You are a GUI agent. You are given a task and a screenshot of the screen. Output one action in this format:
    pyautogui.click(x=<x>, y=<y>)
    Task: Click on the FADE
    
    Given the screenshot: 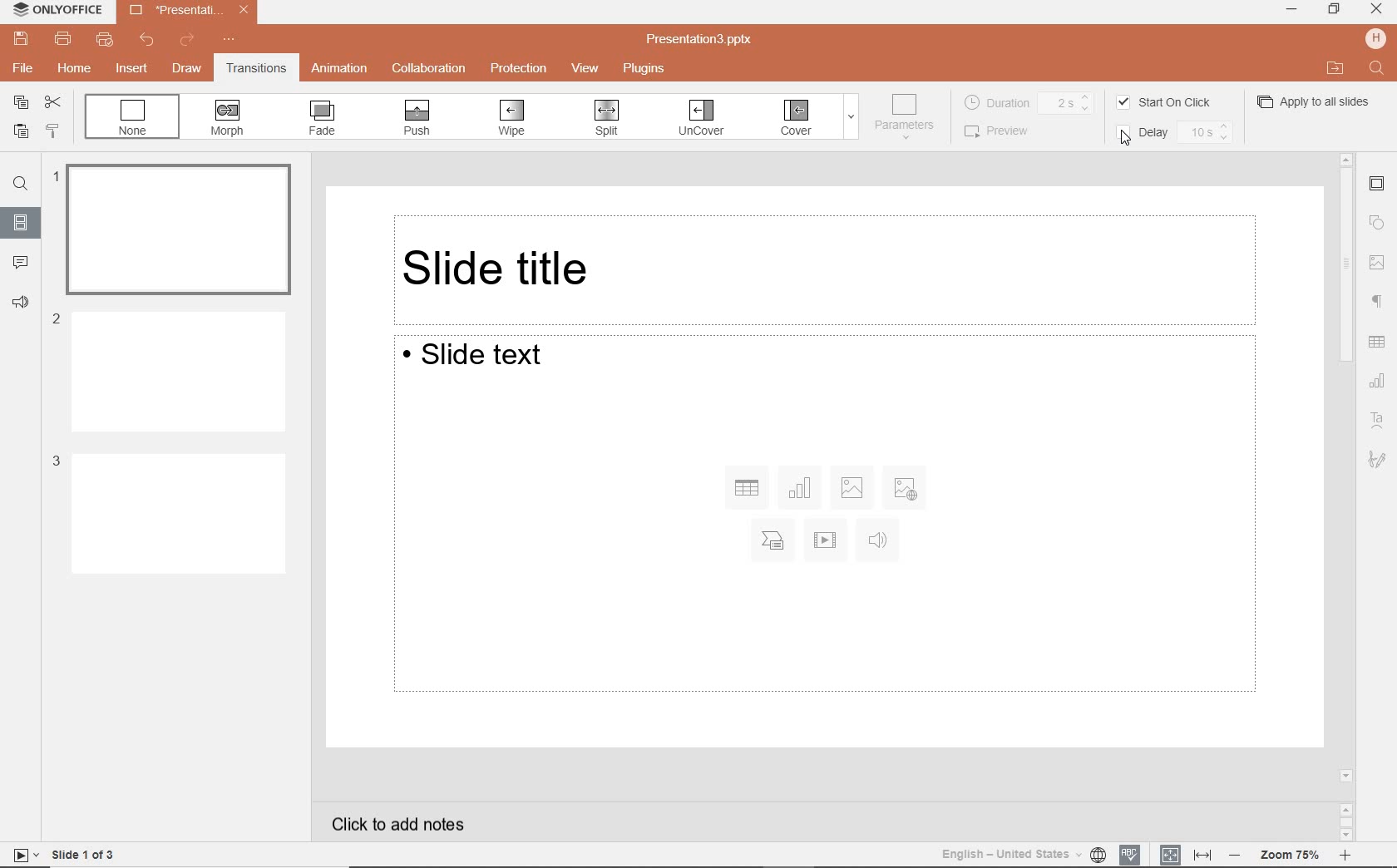 What is the action you would take?
    pyautogui.click(x=323, y=118)
    